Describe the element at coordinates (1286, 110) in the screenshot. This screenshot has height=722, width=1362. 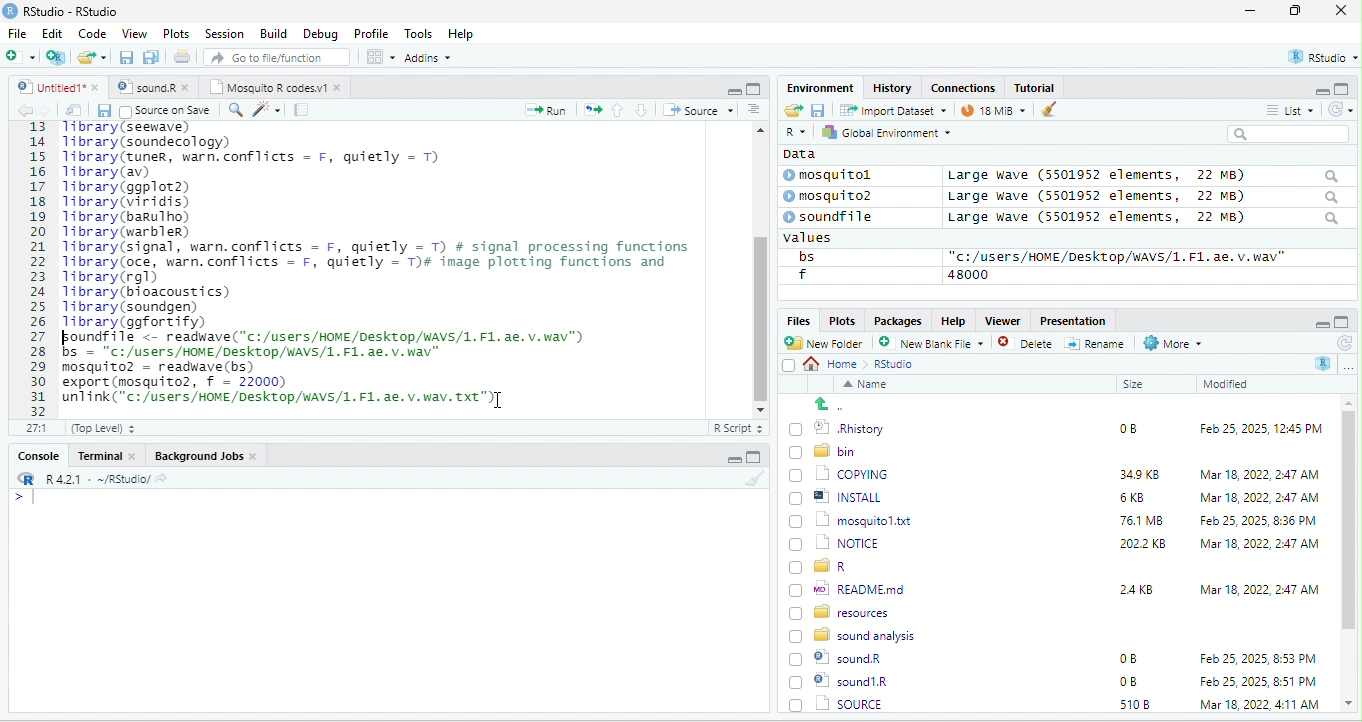
I see `= List ~` at that location.